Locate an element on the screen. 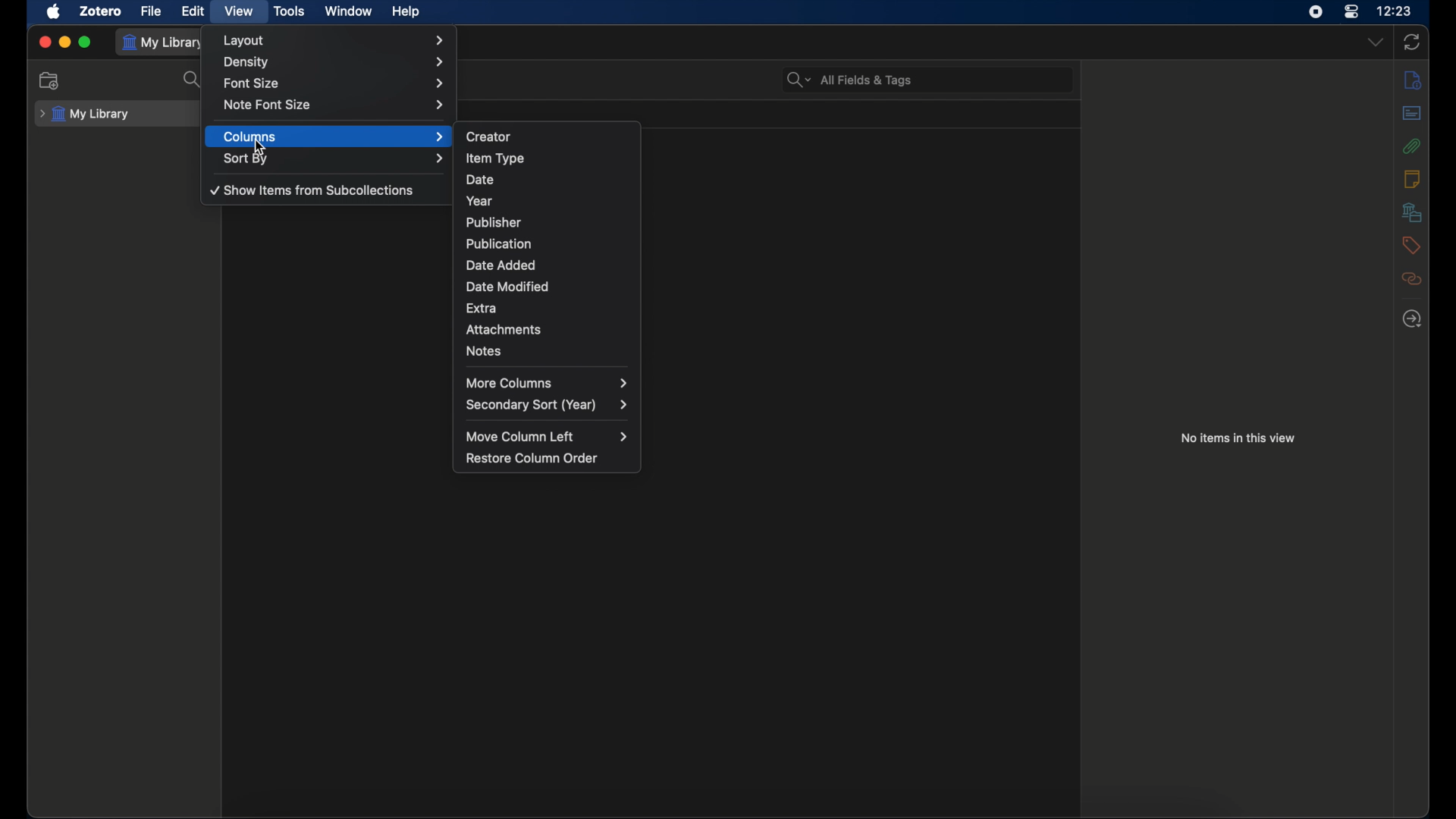 The height and width of the screenshot is (819, 1456). columns is located at coordinates (334, 137).